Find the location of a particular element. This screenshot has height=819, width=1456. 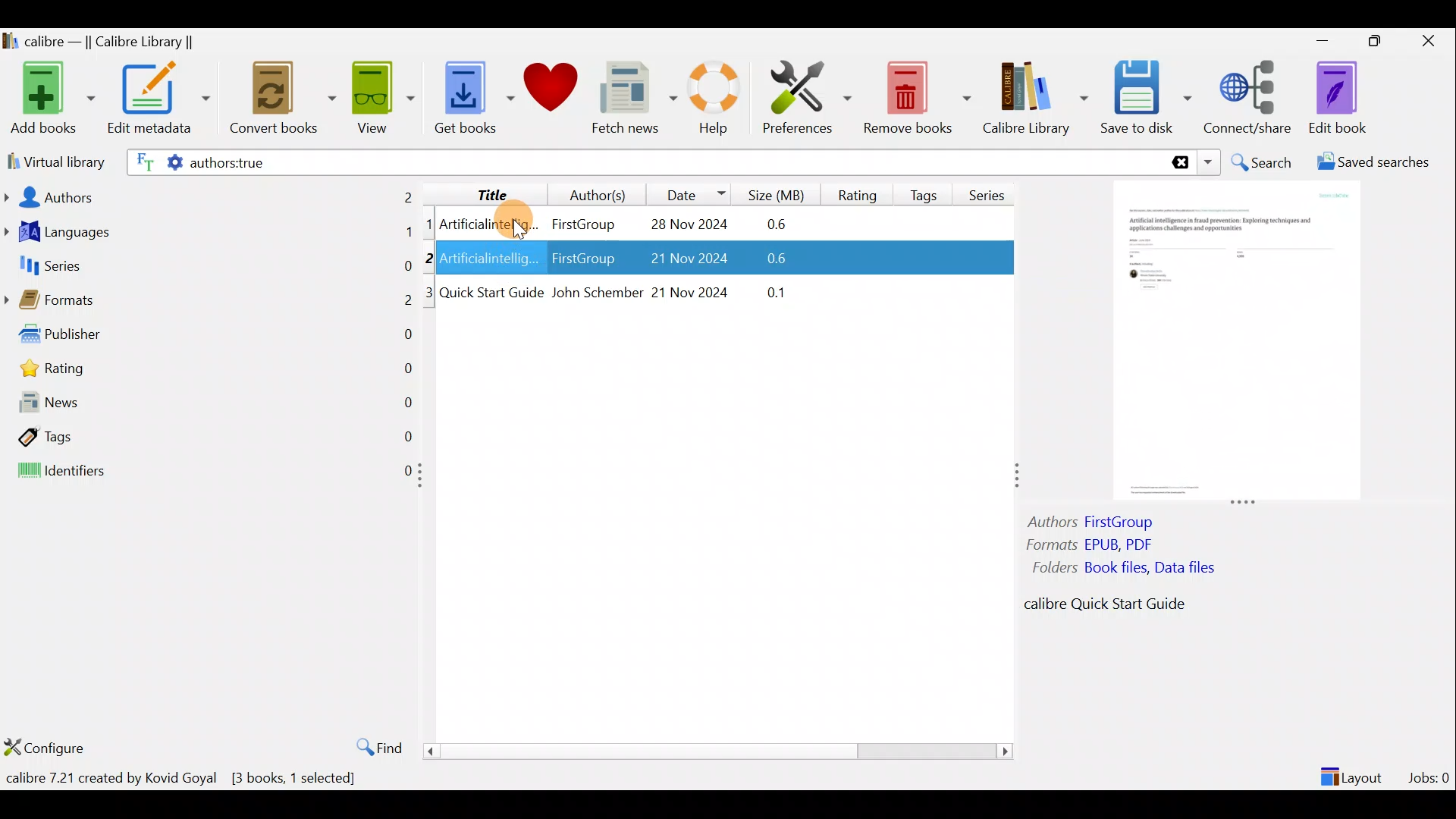

Adjust column to the right is located at coordinates (1018, 477).